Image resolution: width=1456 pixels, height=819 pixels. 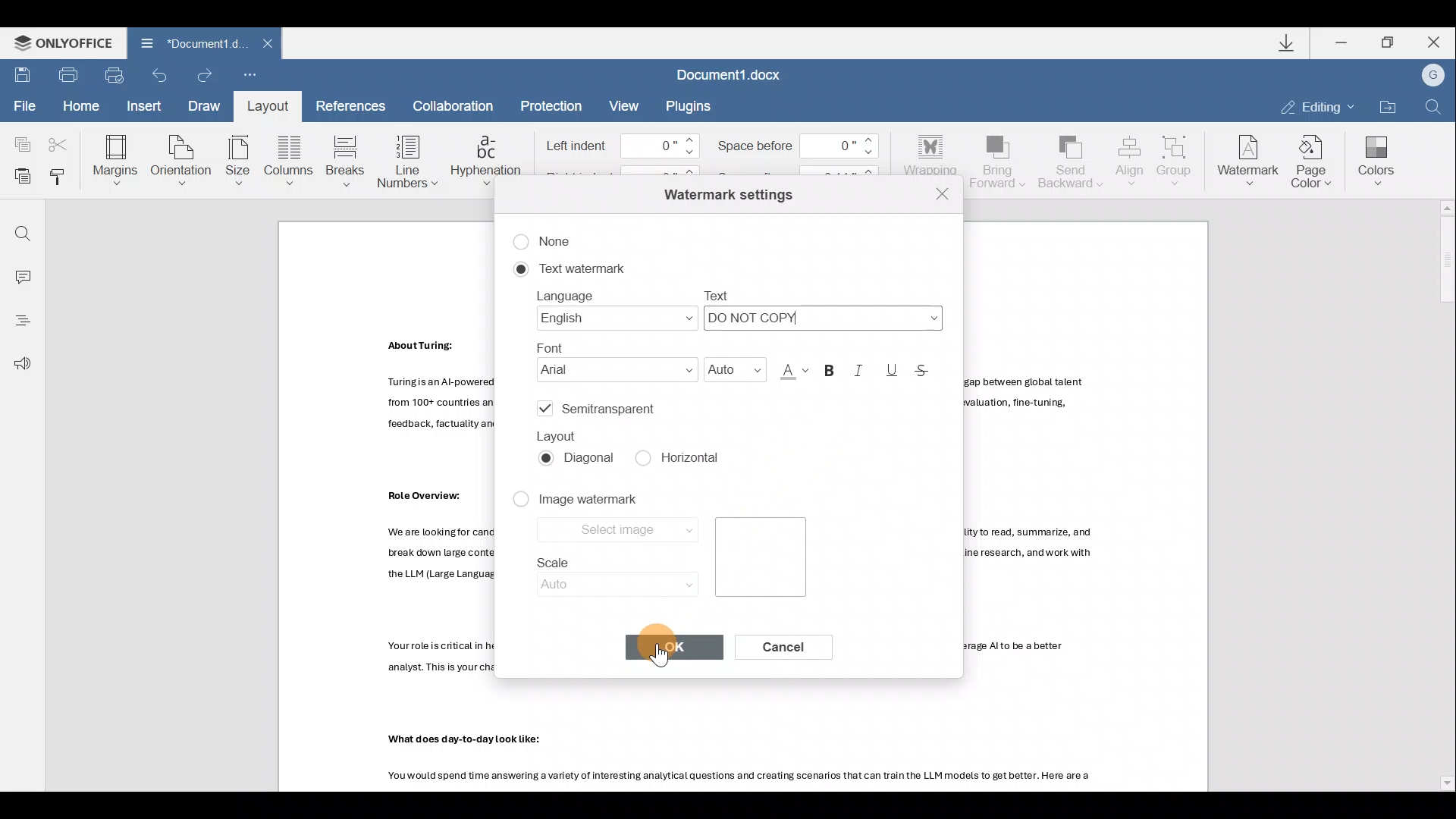 I want to click on Language, so click(x=610, y=308).